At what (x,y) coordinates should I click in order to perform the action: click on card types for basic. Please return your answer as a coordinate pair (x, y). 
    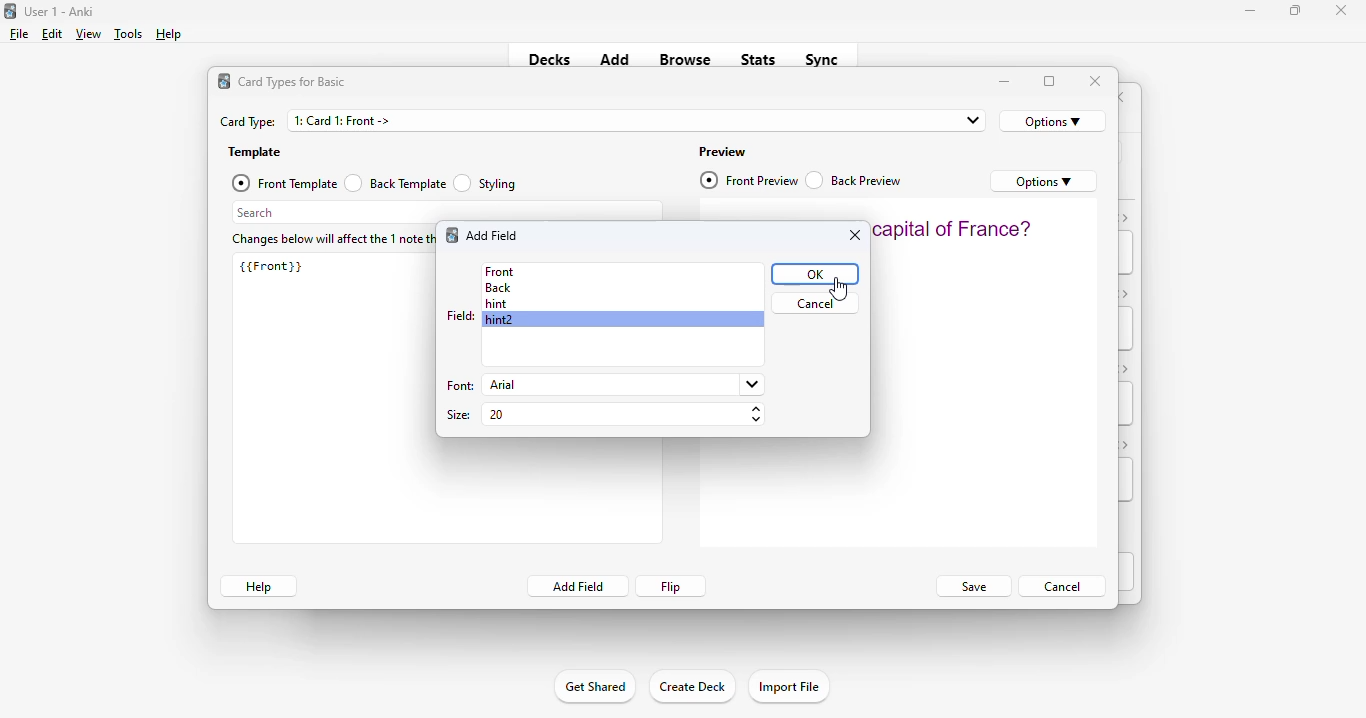
    Looking at the image, I should click on (292, 82).